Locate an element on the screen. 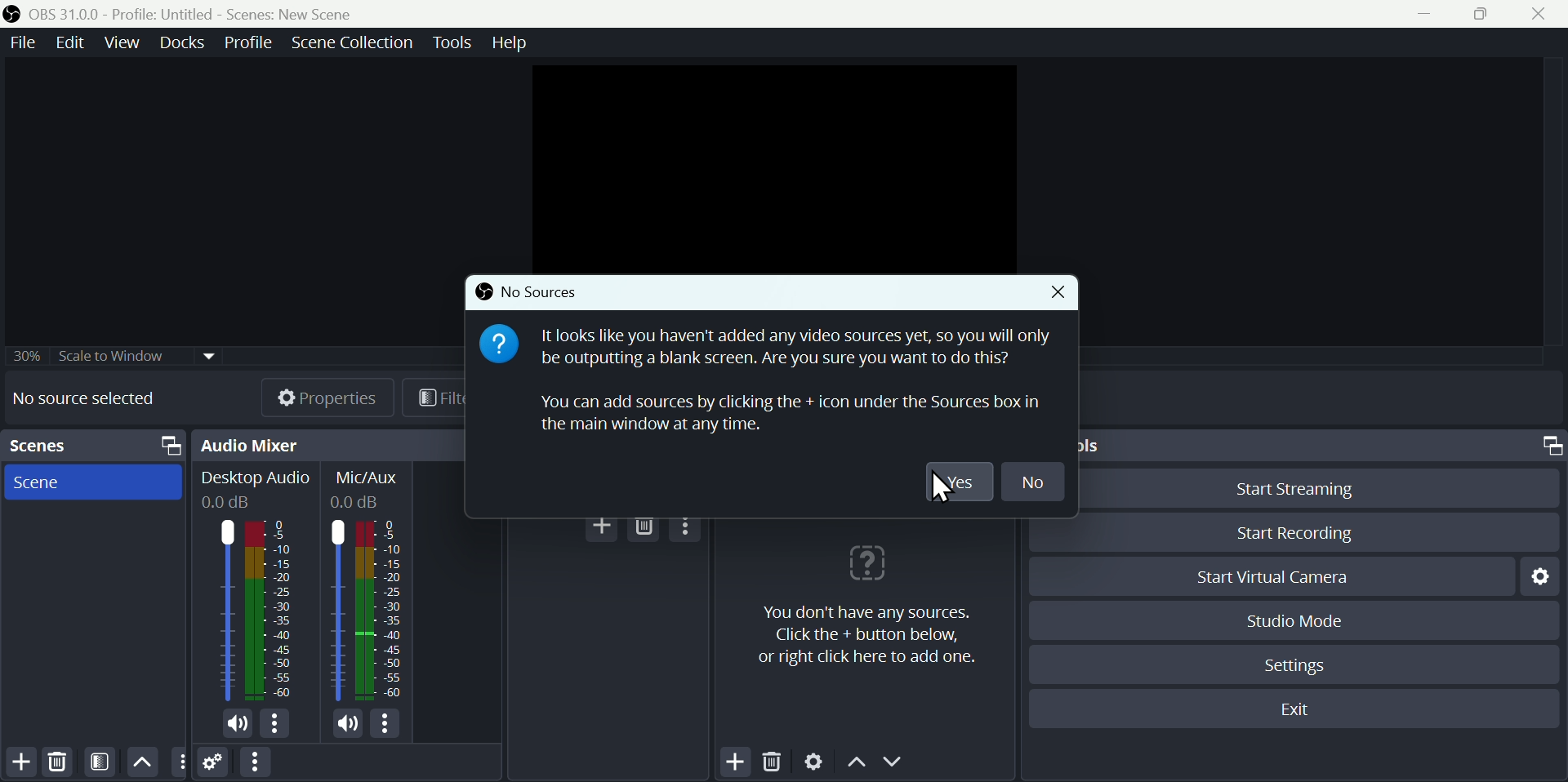 The width and height of the screenshot is (1568, 782). menu bar is located at coordinates (385, 726).